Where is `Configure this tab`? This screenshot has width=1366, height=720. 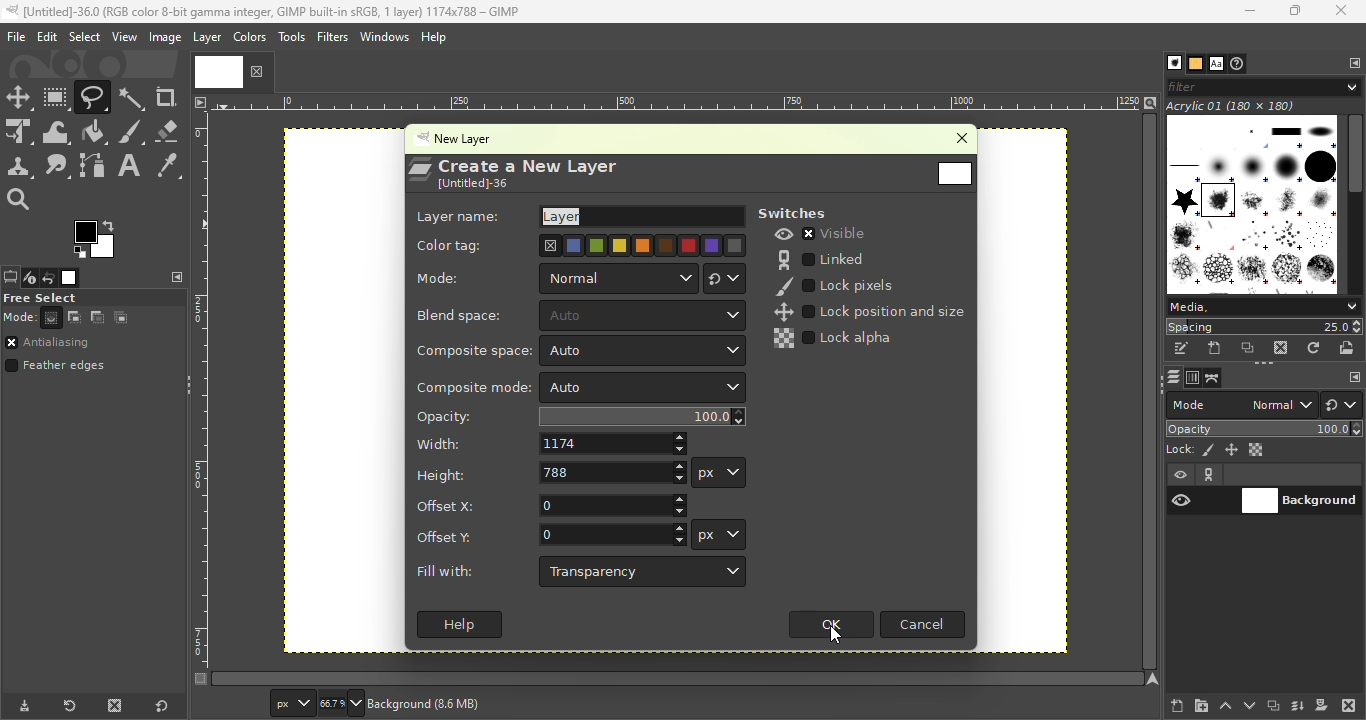
Configure this tab is located at coordinates (174, 277).